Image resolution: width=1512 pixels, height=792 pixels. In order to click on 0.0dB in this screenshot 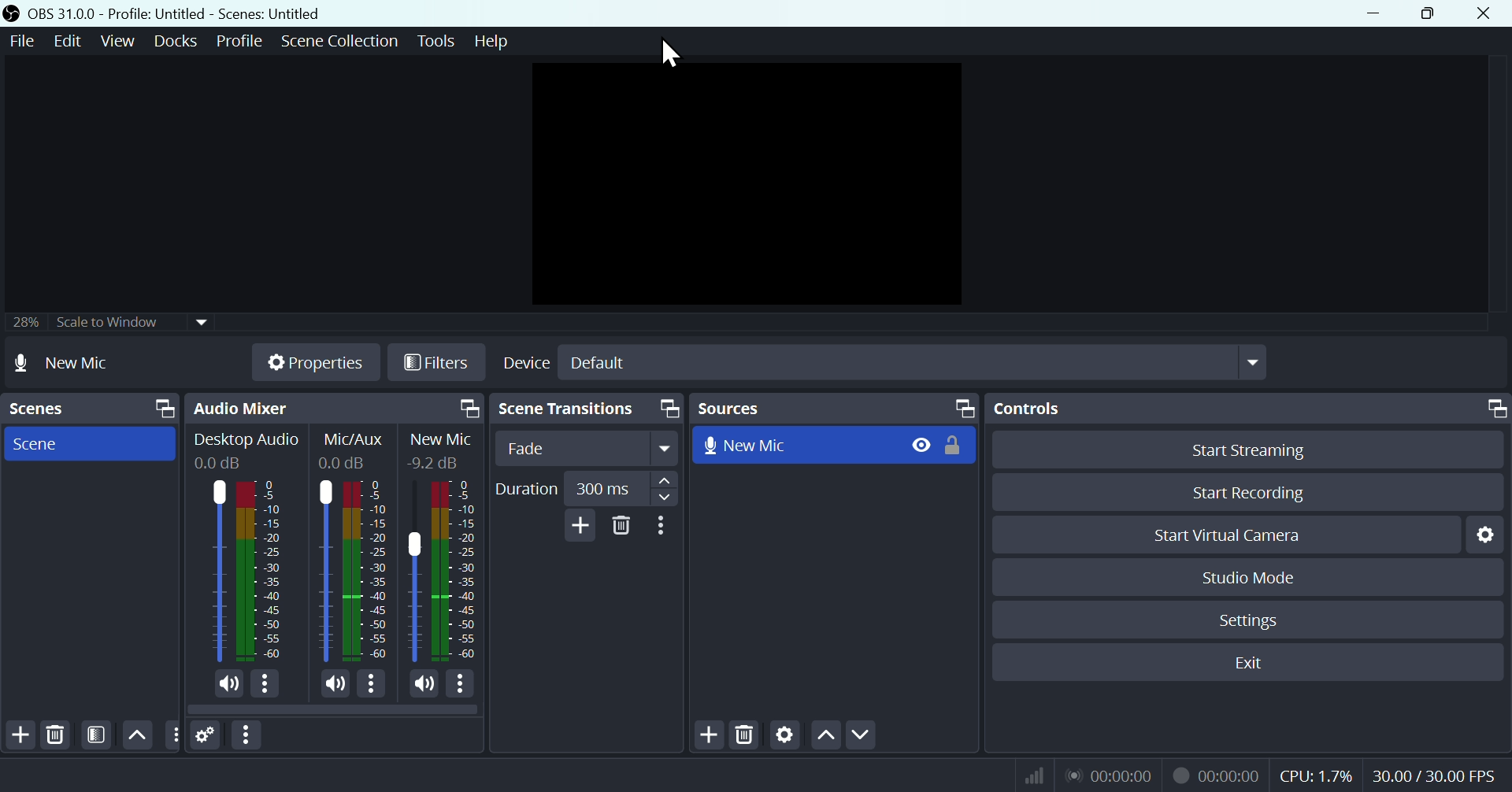, I will do `click(220, 464)`.